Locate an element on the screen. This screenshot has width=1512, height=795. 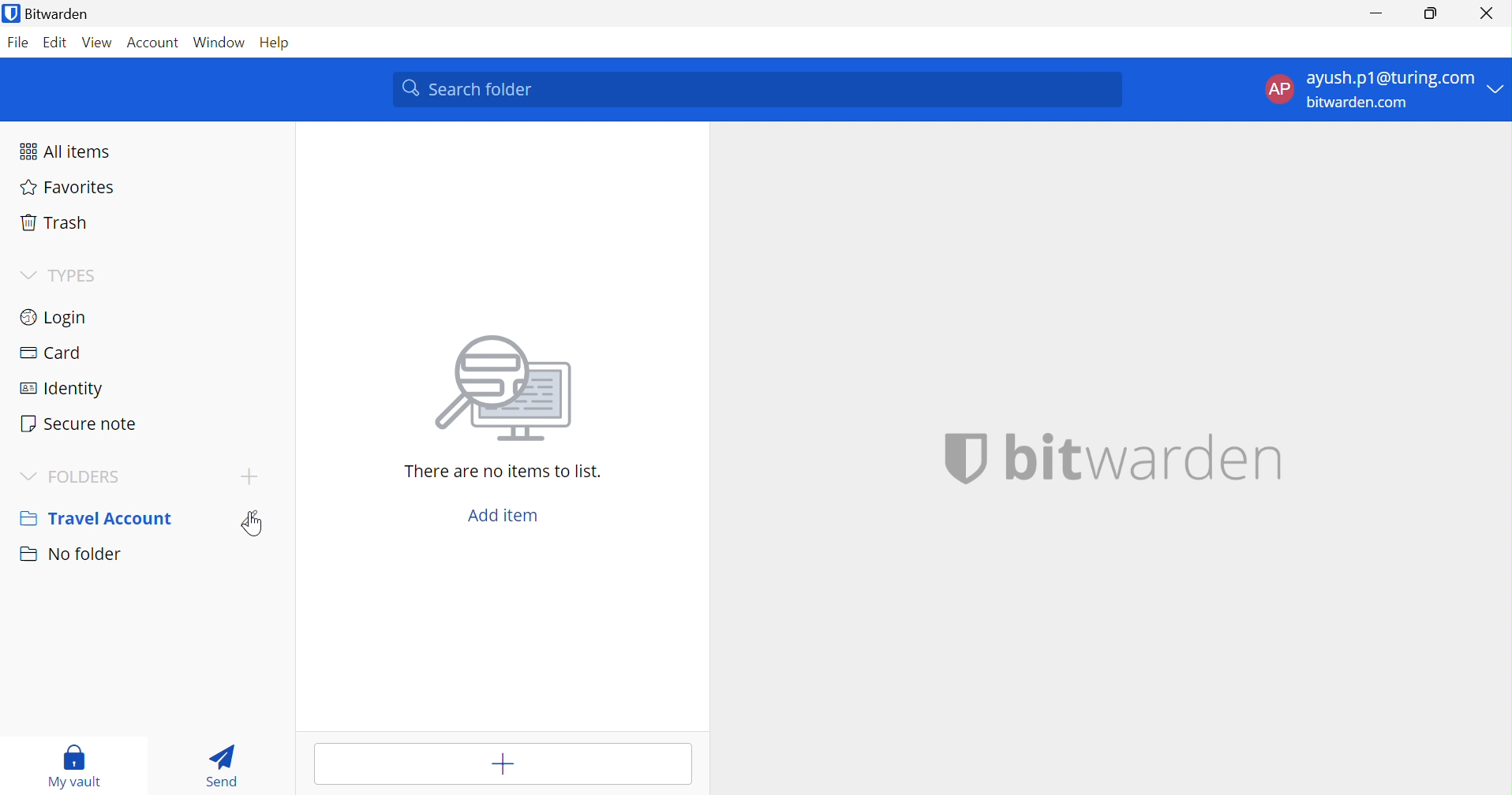
No folder is located at coordinates (70, 558).